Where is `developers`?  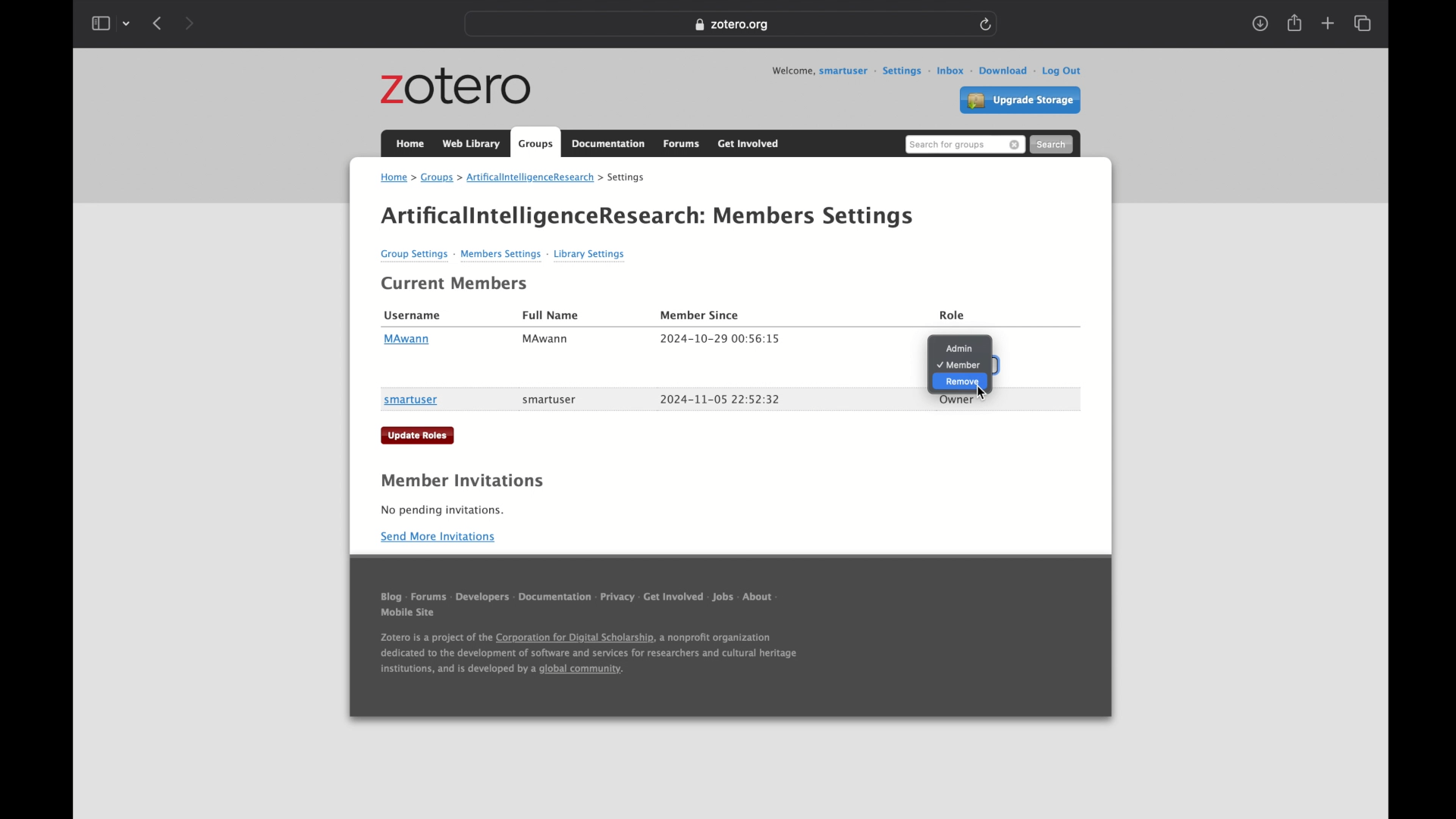 developers is located at coordinates (483, 601).